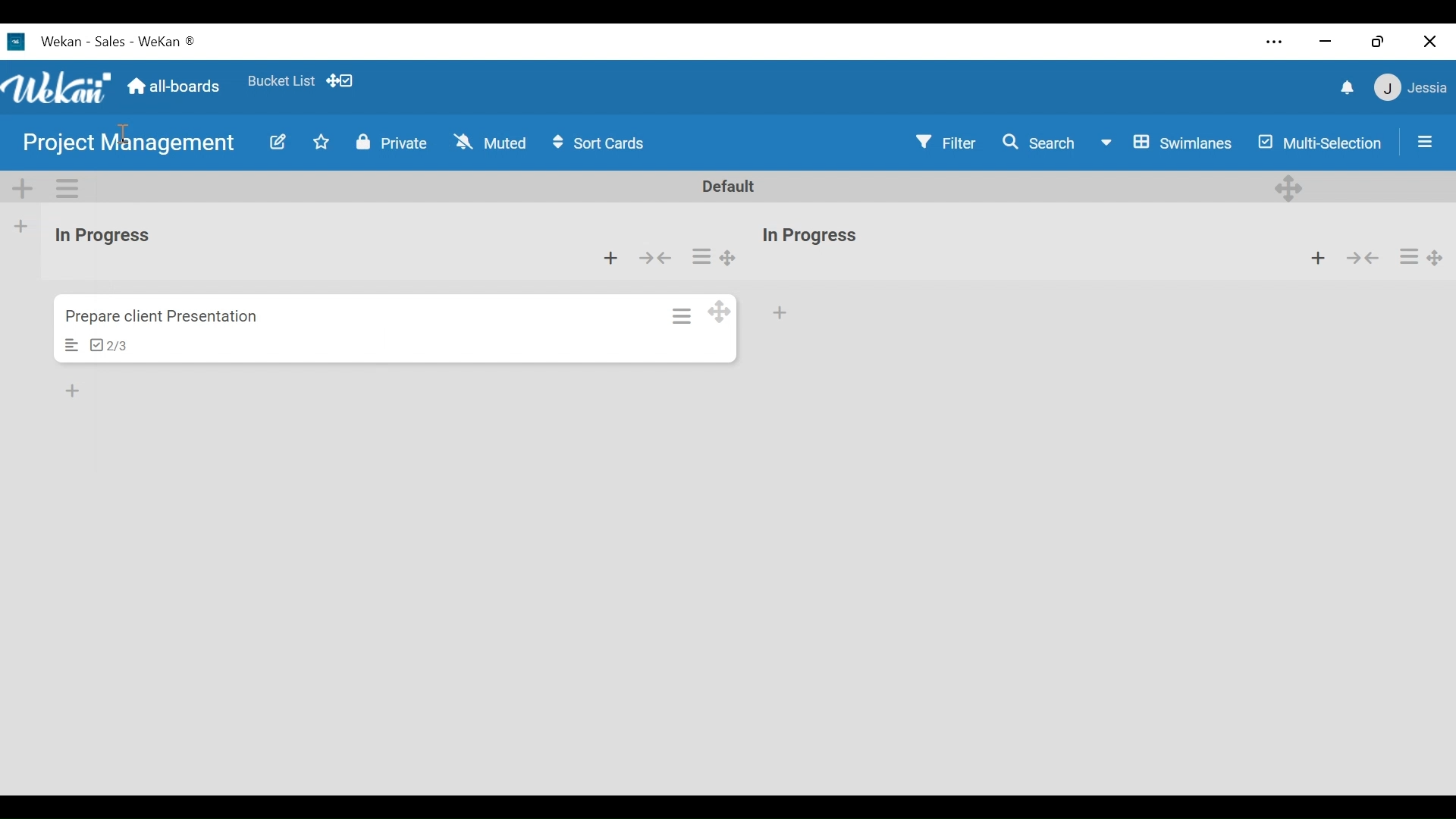 The image size is (1456, 819). Describe the element at coordinates (1361, 256) in the screenshot. I see `Collapse` at that location.